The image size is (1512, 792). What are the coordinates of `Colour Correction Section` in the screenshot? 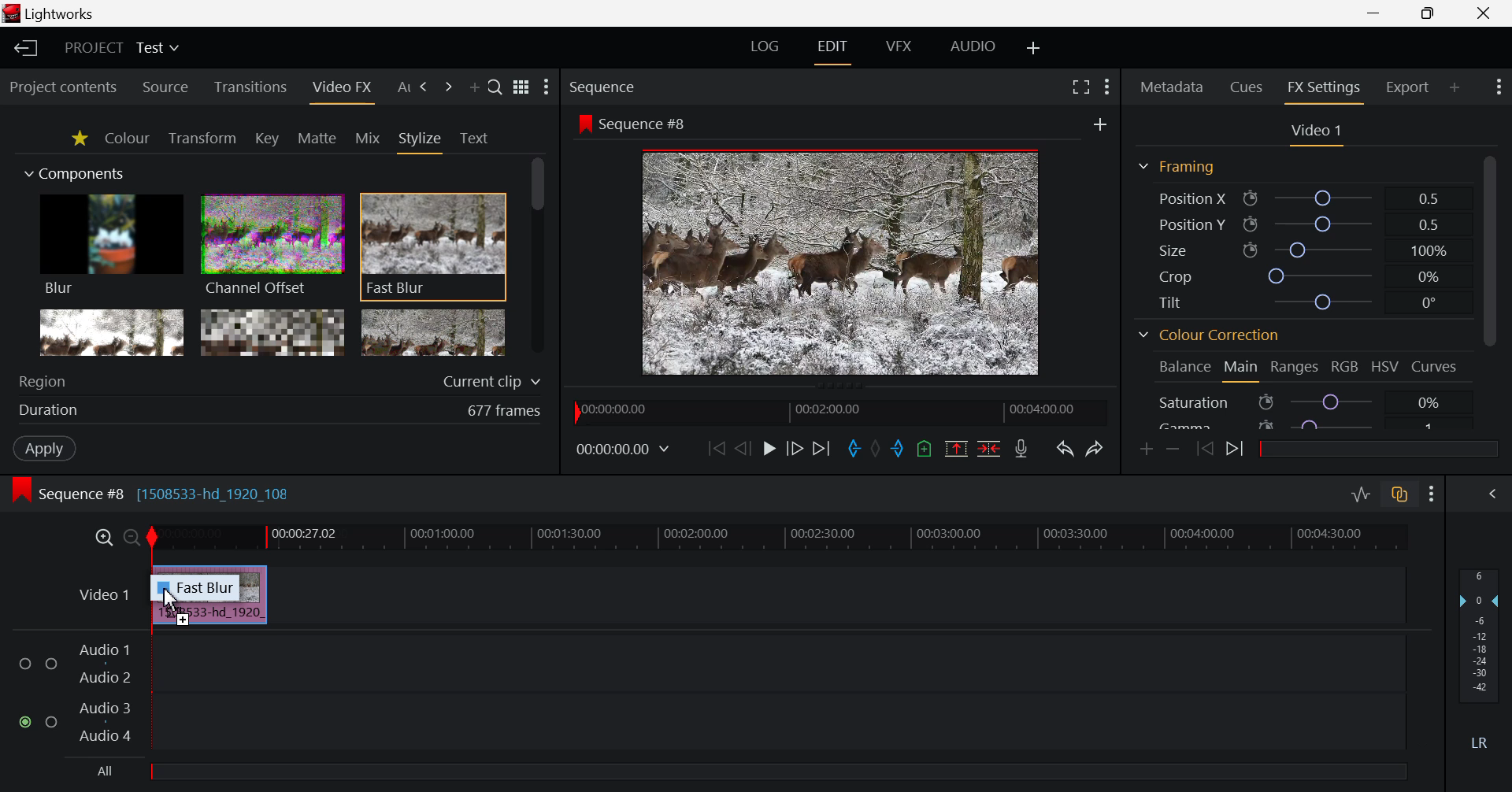 It's located at (1210, 335).